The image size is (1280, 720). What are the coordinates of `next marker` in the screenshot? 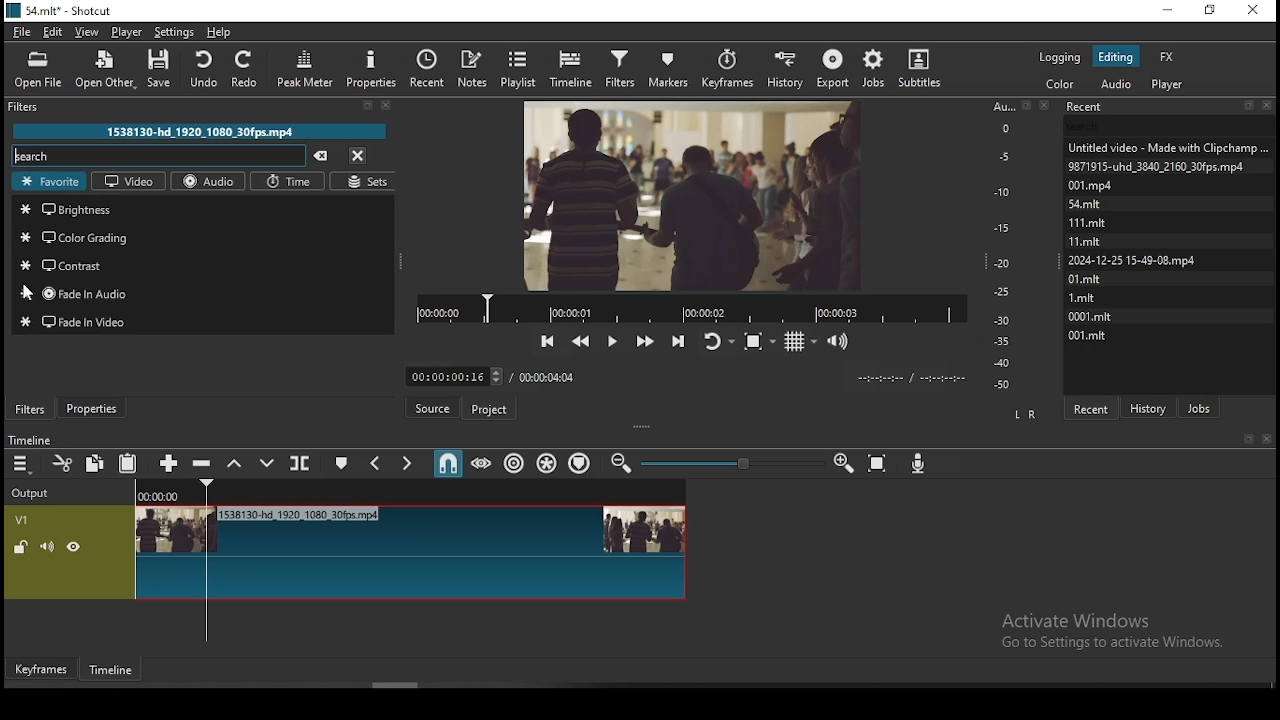 It's located at (405, 464).